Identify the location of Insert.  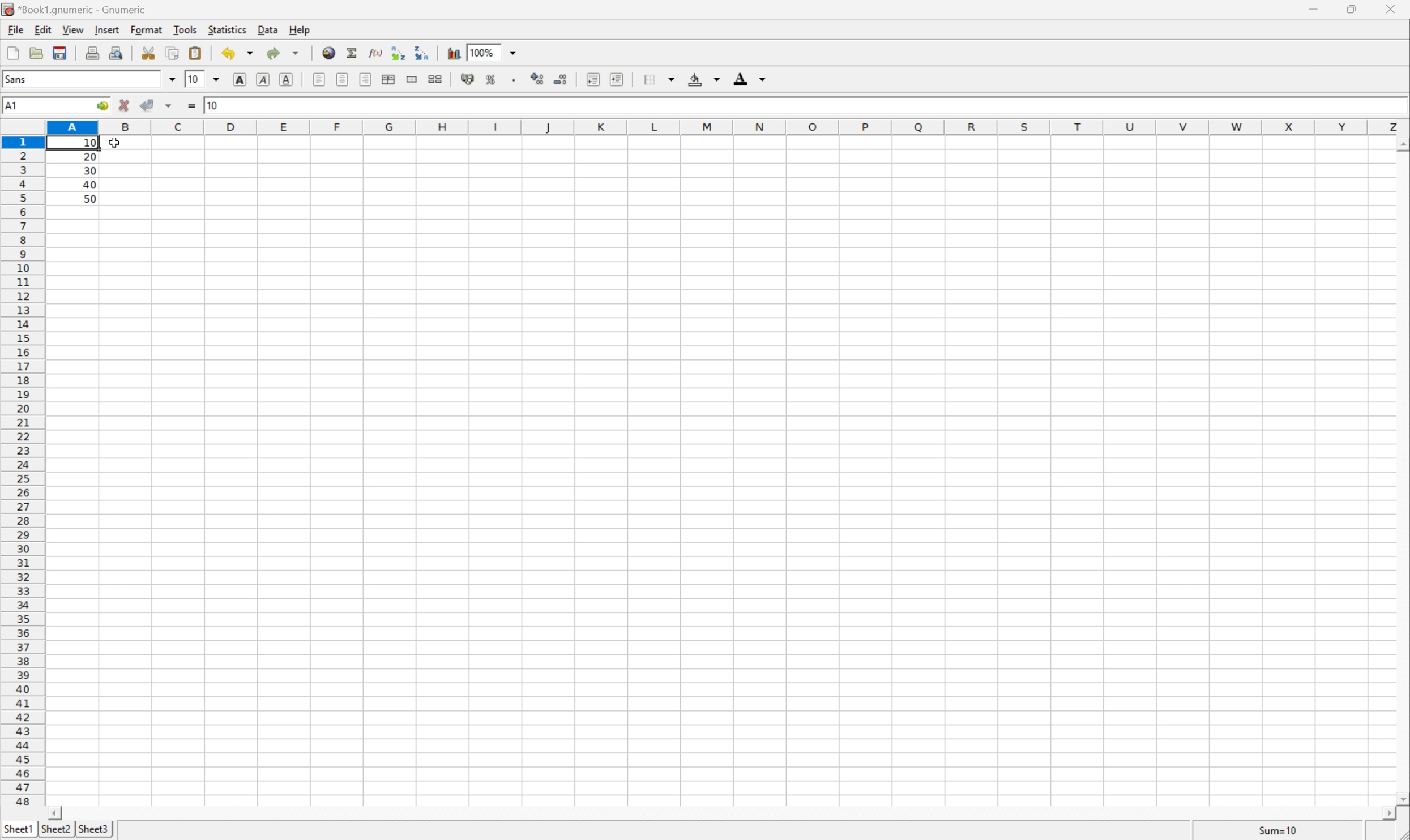
(106, 29).